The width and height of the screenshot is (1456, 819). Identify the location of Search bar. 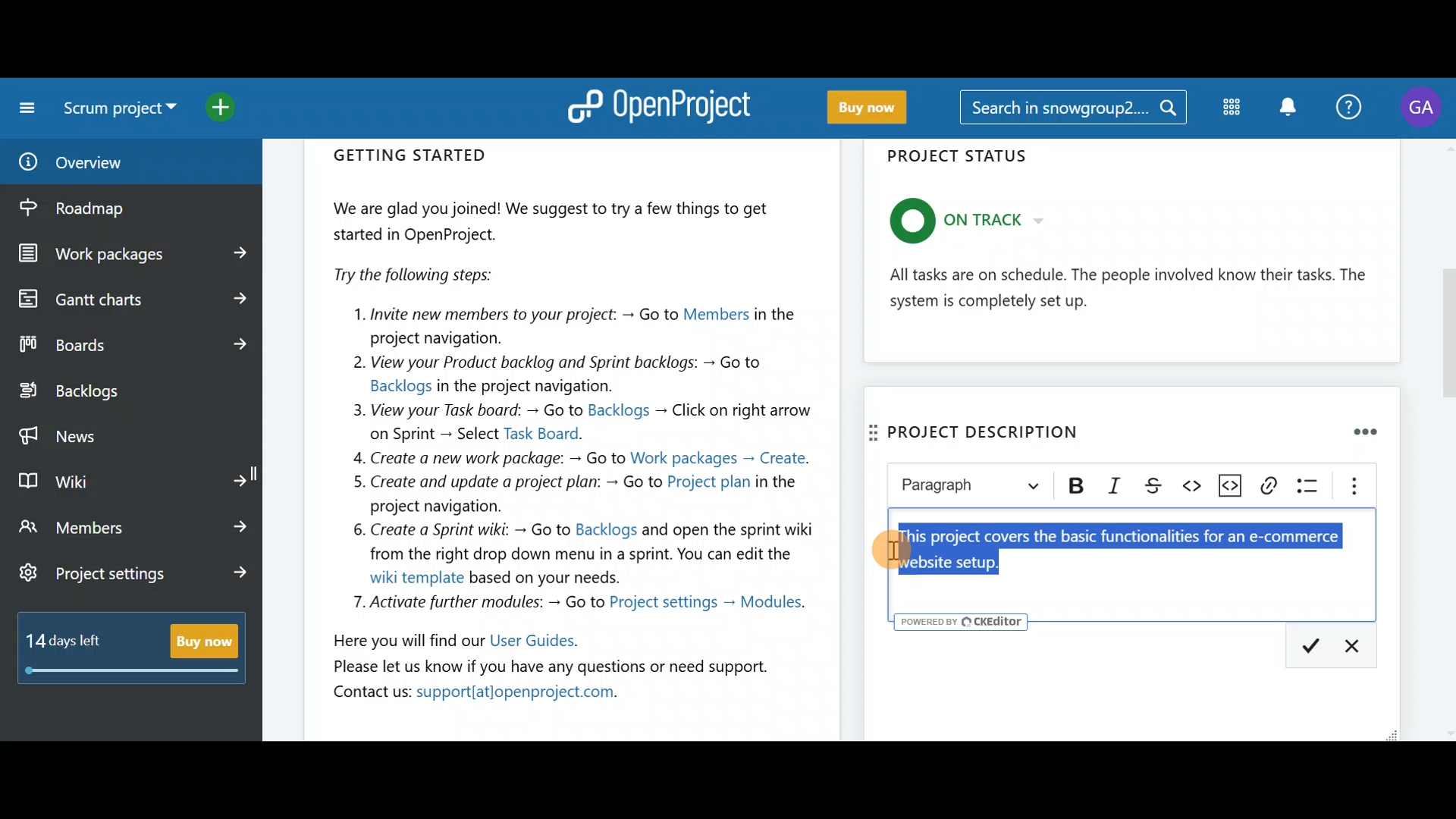
(1072, 110).